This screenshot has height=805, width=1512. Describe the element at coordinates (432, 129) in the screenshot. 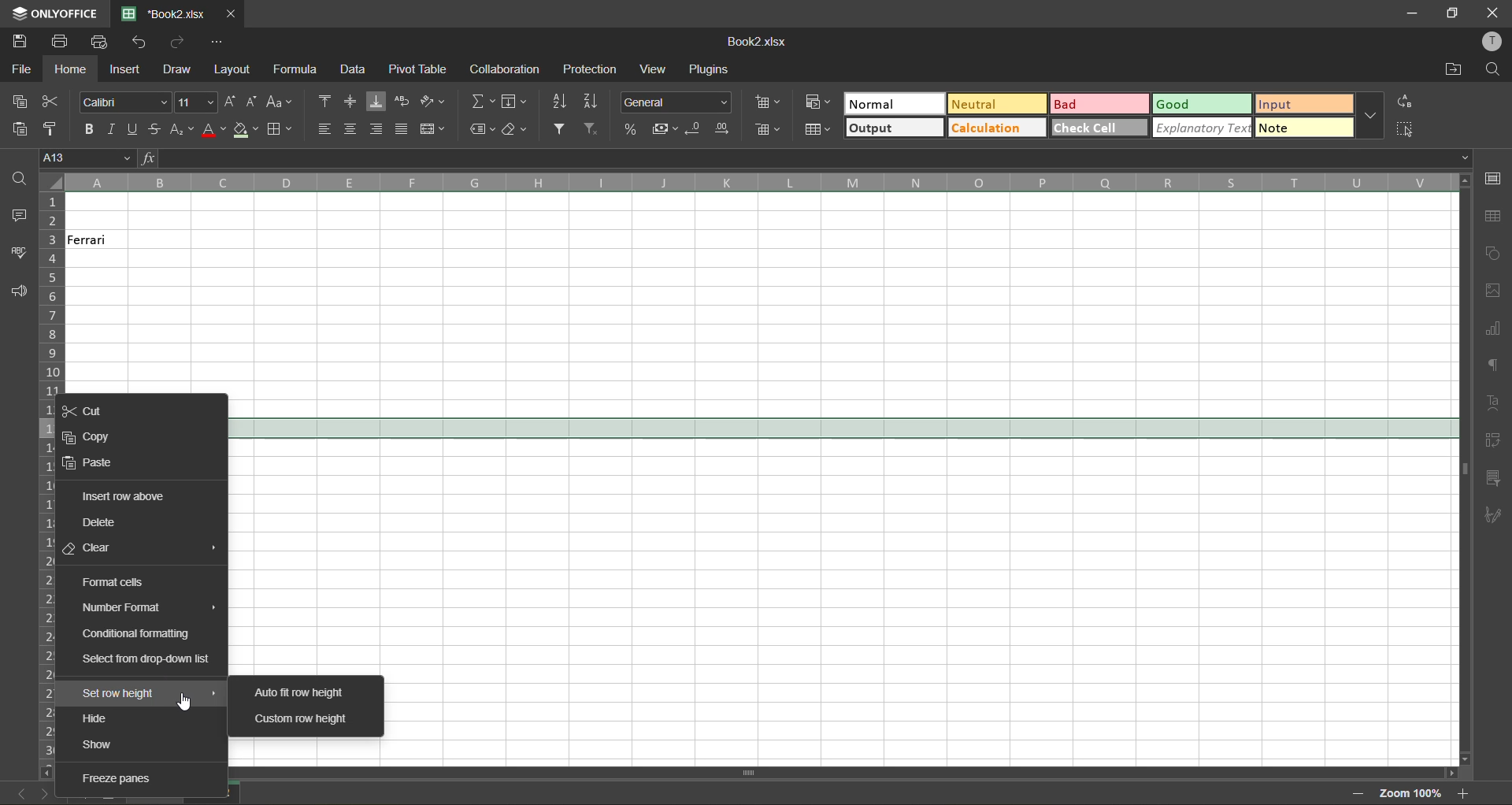

I see `merge and center` at that location.